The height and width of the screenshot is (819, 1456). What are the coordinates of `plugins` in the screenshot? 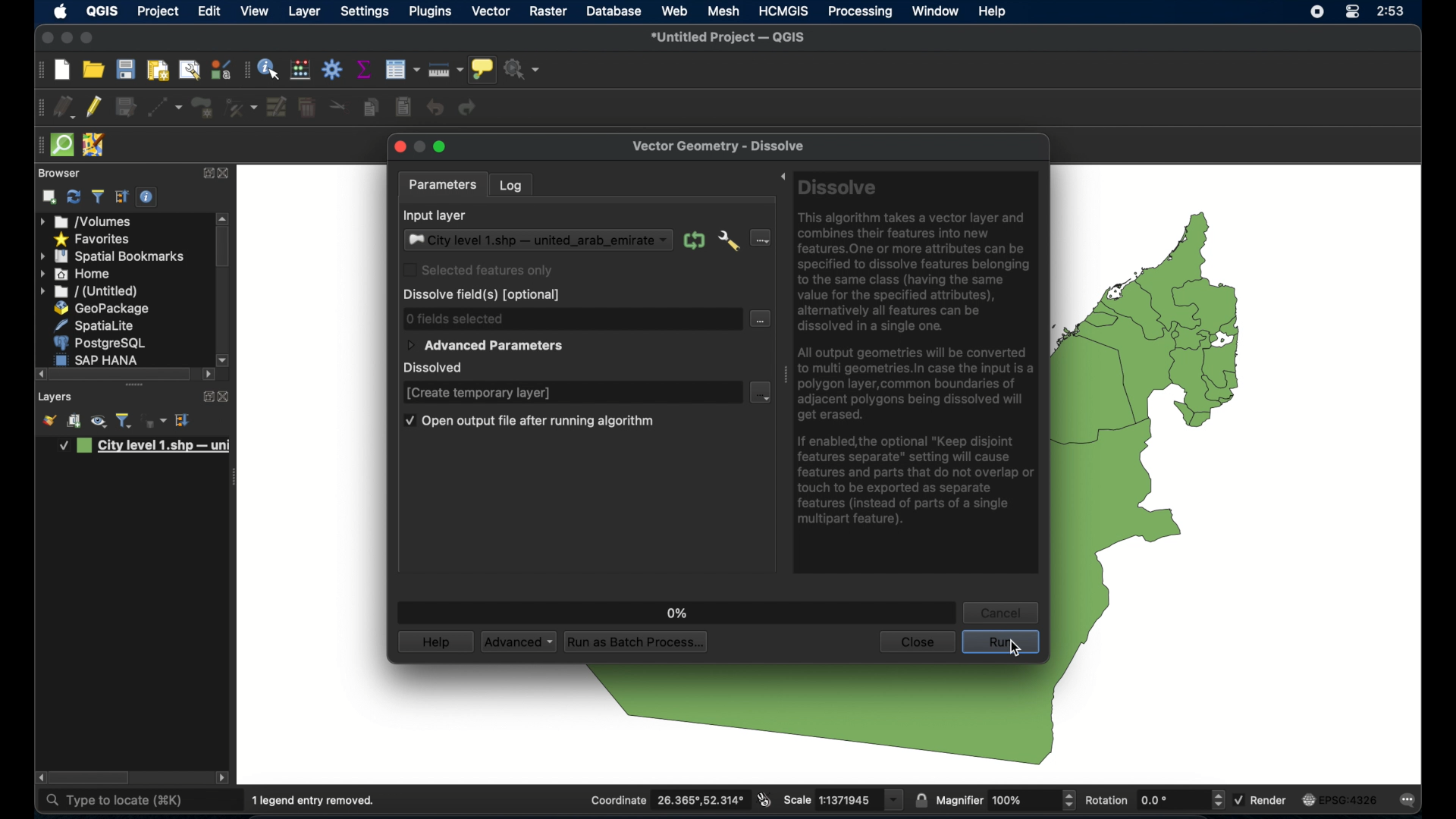 It's located at (430, 12).